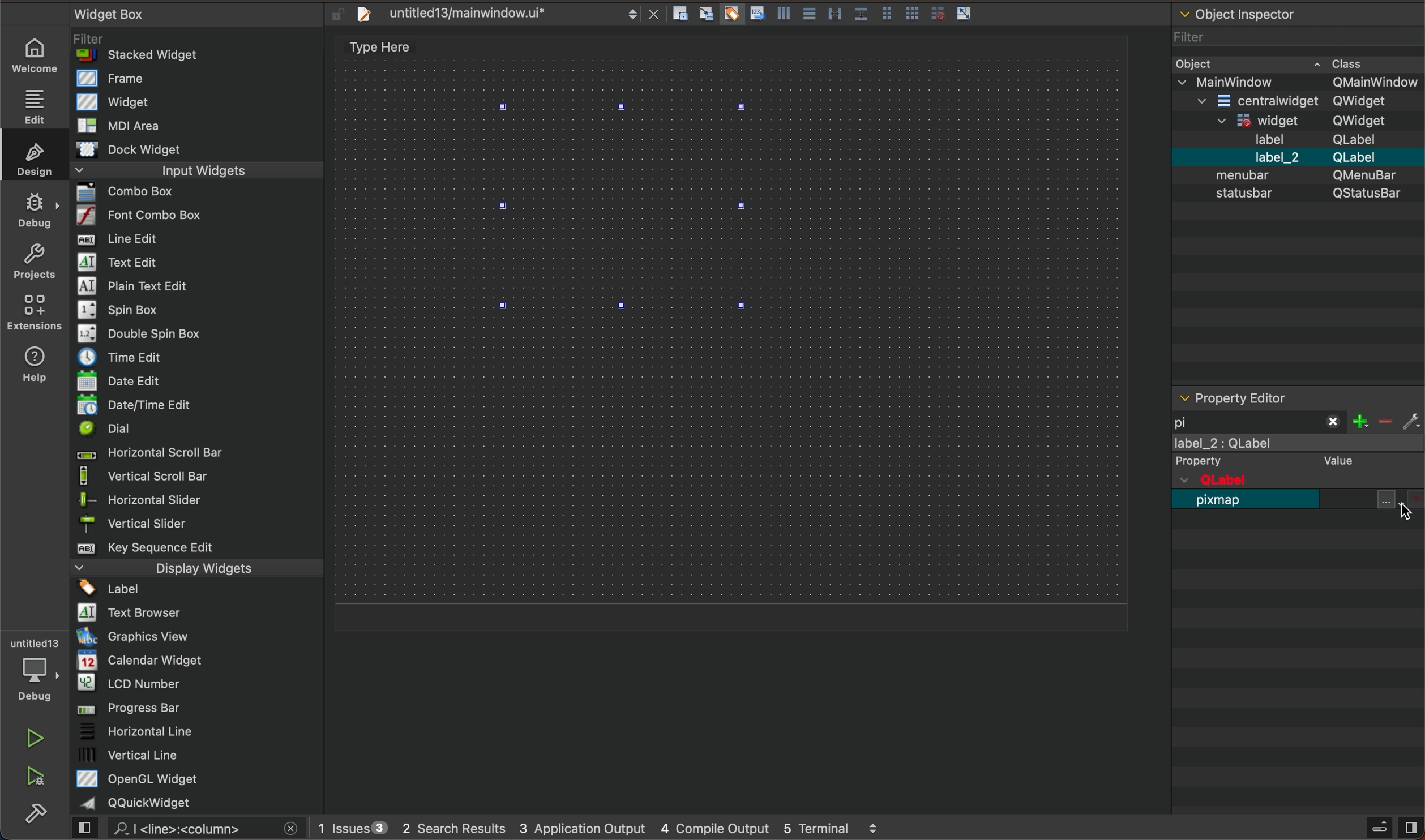 This screenshot has width=1425, height=840. I want to click on help, so click(40, 362).